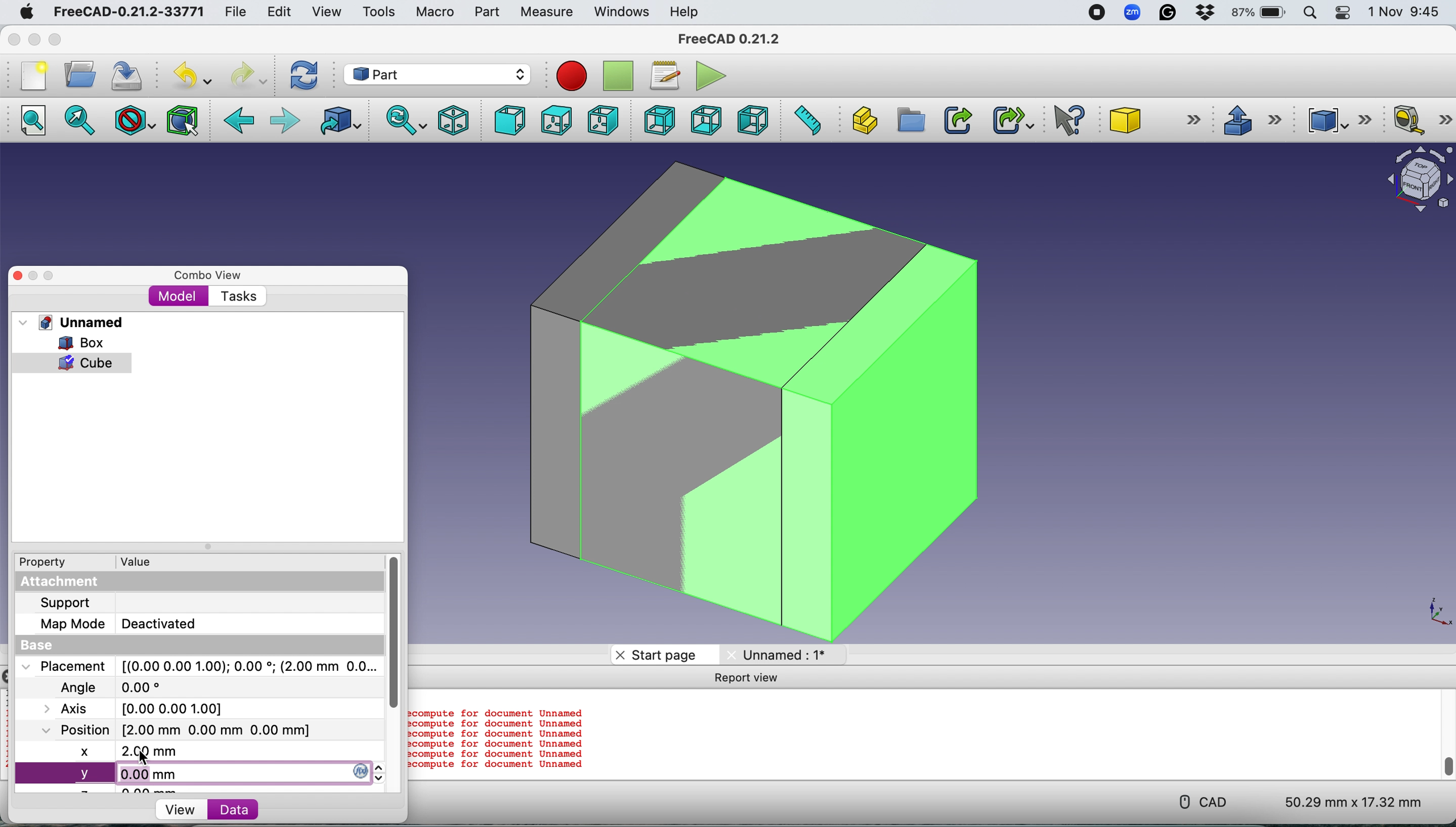  I want to click on Combo view, so click(209, 275).